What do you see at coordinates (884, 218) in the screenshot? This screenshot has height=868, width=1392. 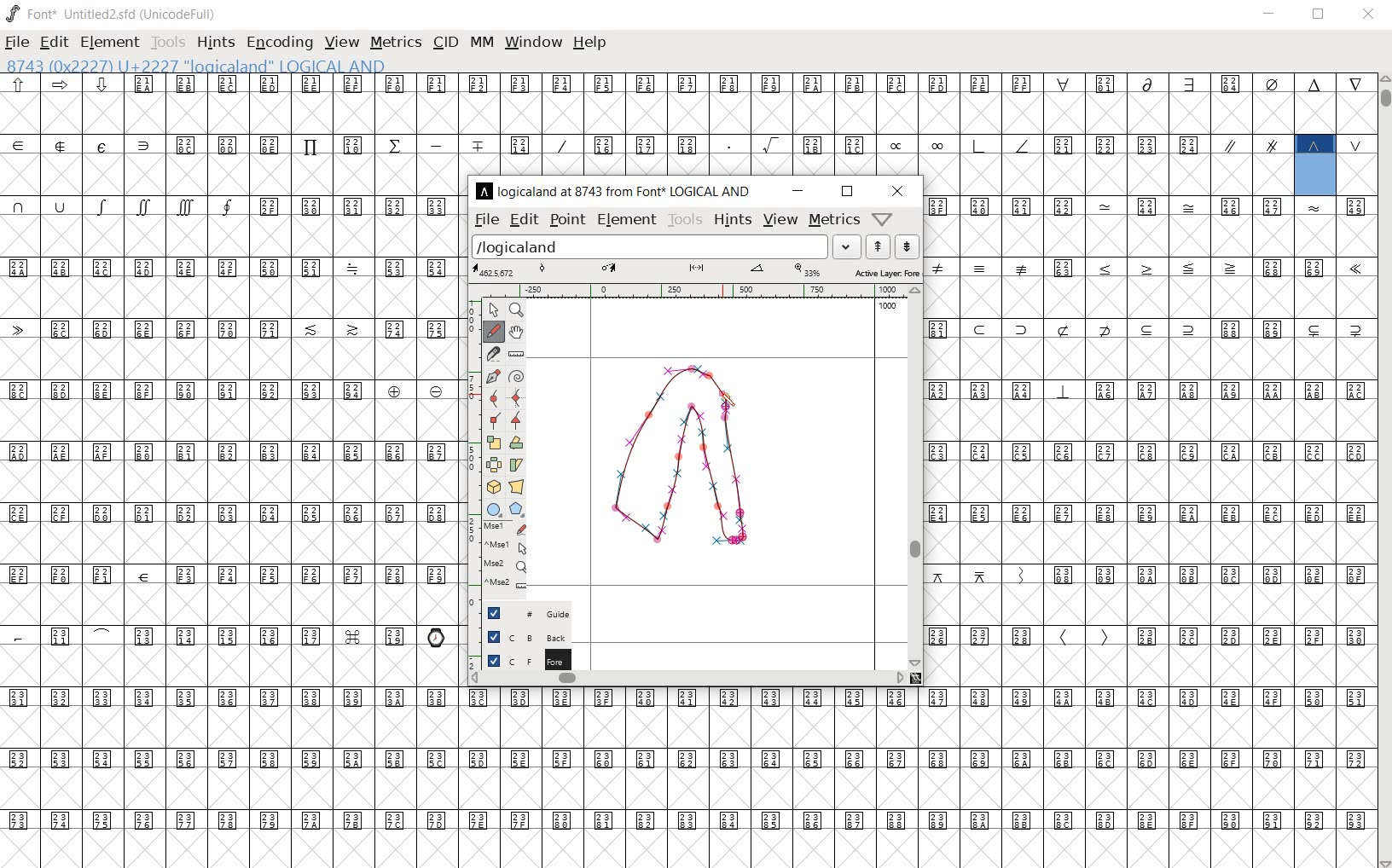 I see `Help/Window` at bounding box center [884, 218].